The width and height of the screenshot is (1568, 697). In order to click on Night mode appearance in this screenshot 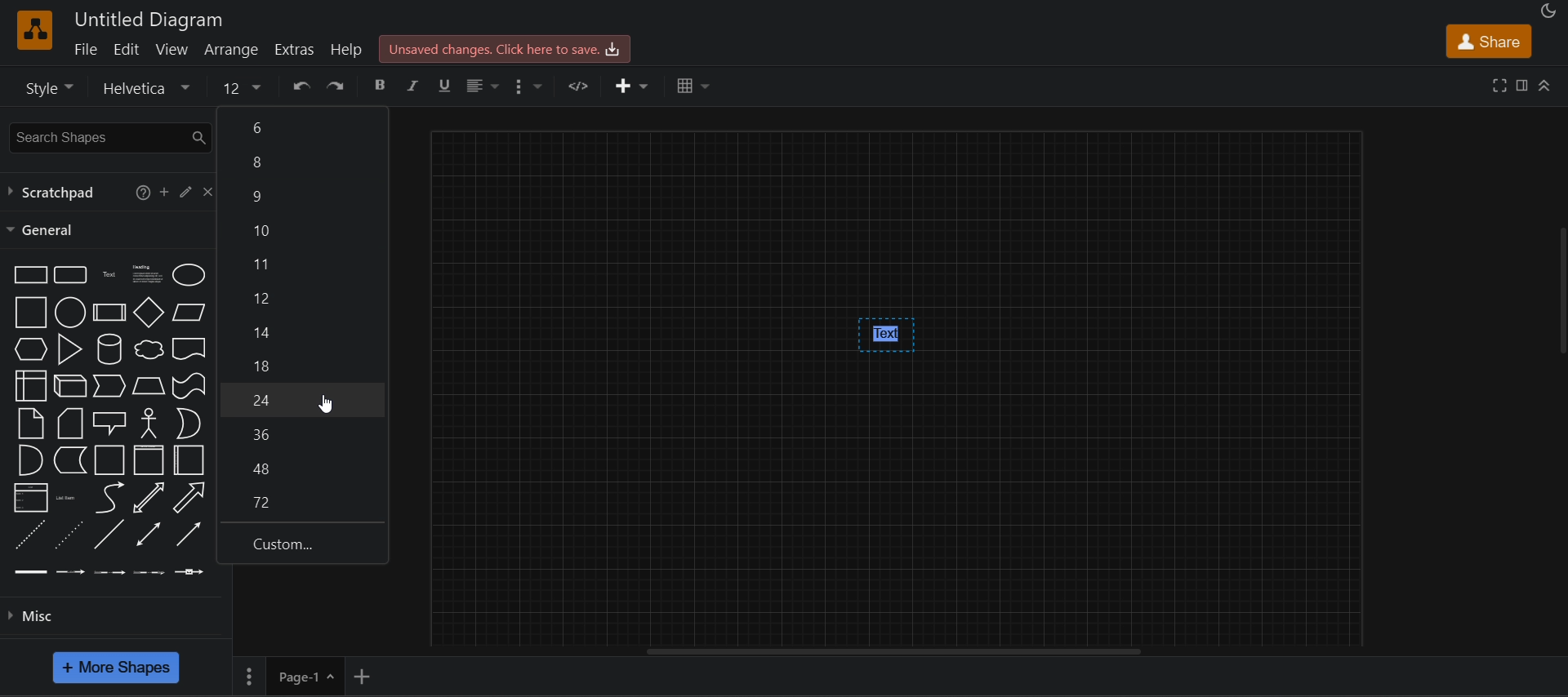, I will do `click(1549, 11)`.